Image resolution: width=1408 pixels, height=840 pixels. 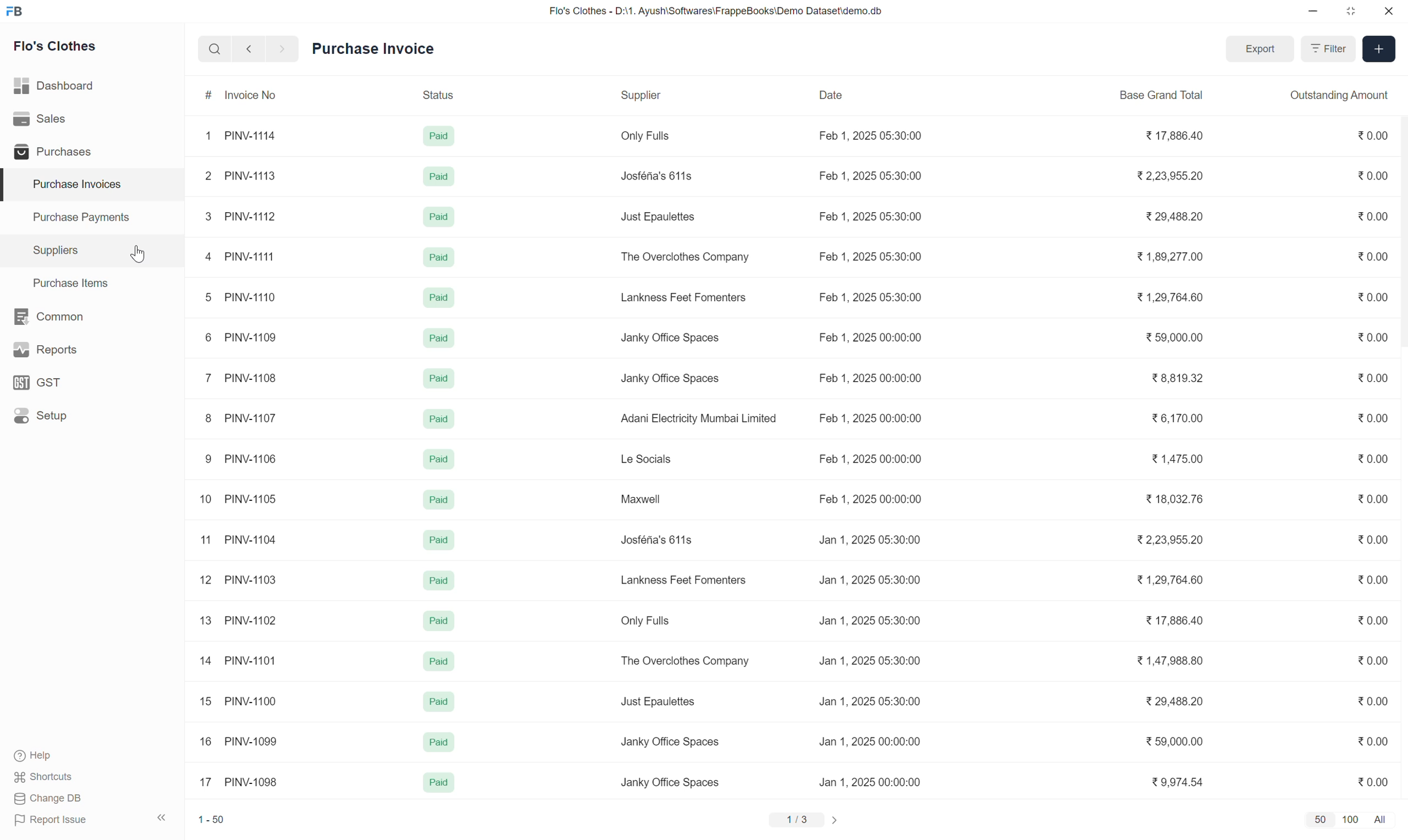 I want to click on cursor, so click(x=136, y=253).